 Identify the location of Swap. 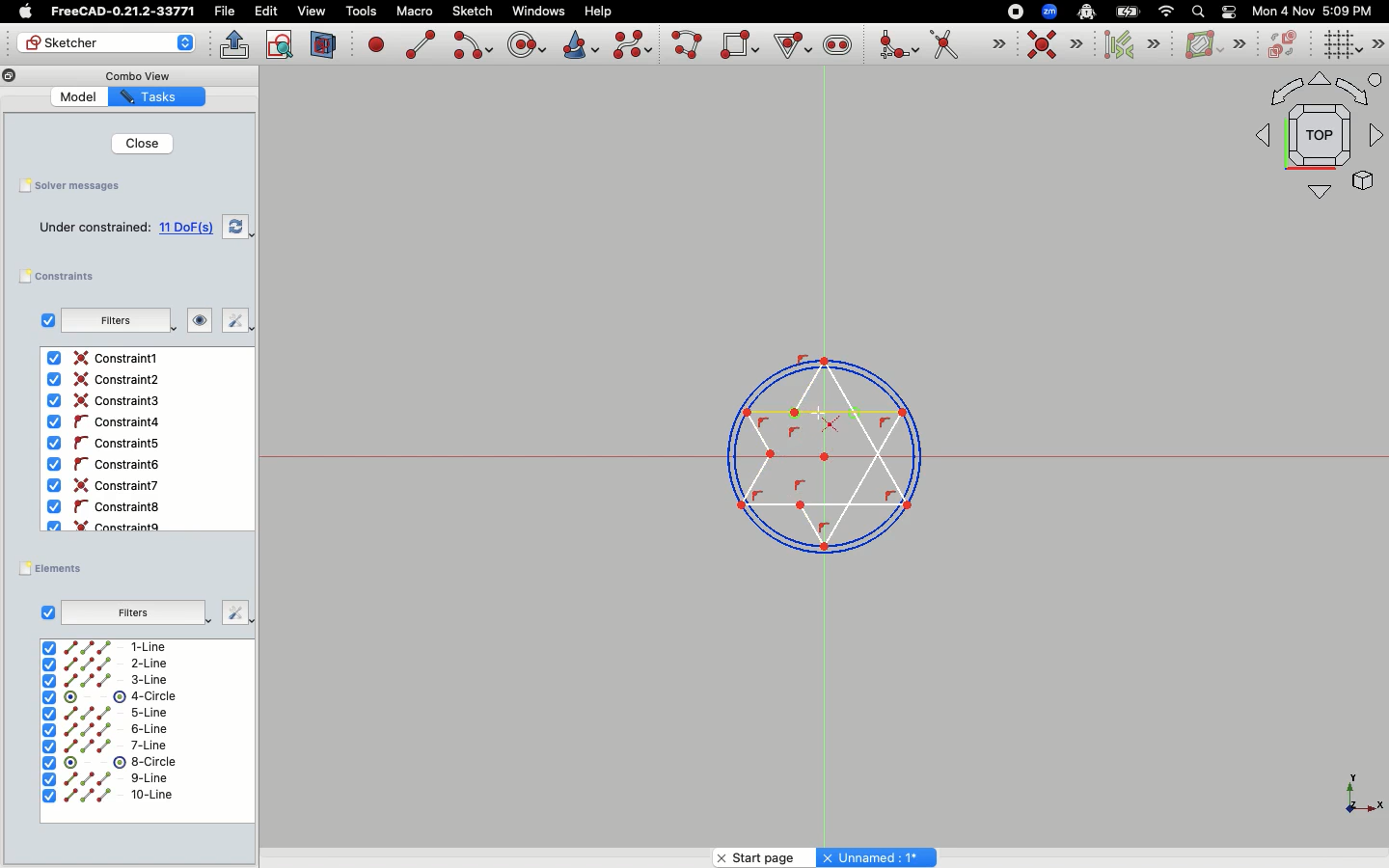
(238, 227).